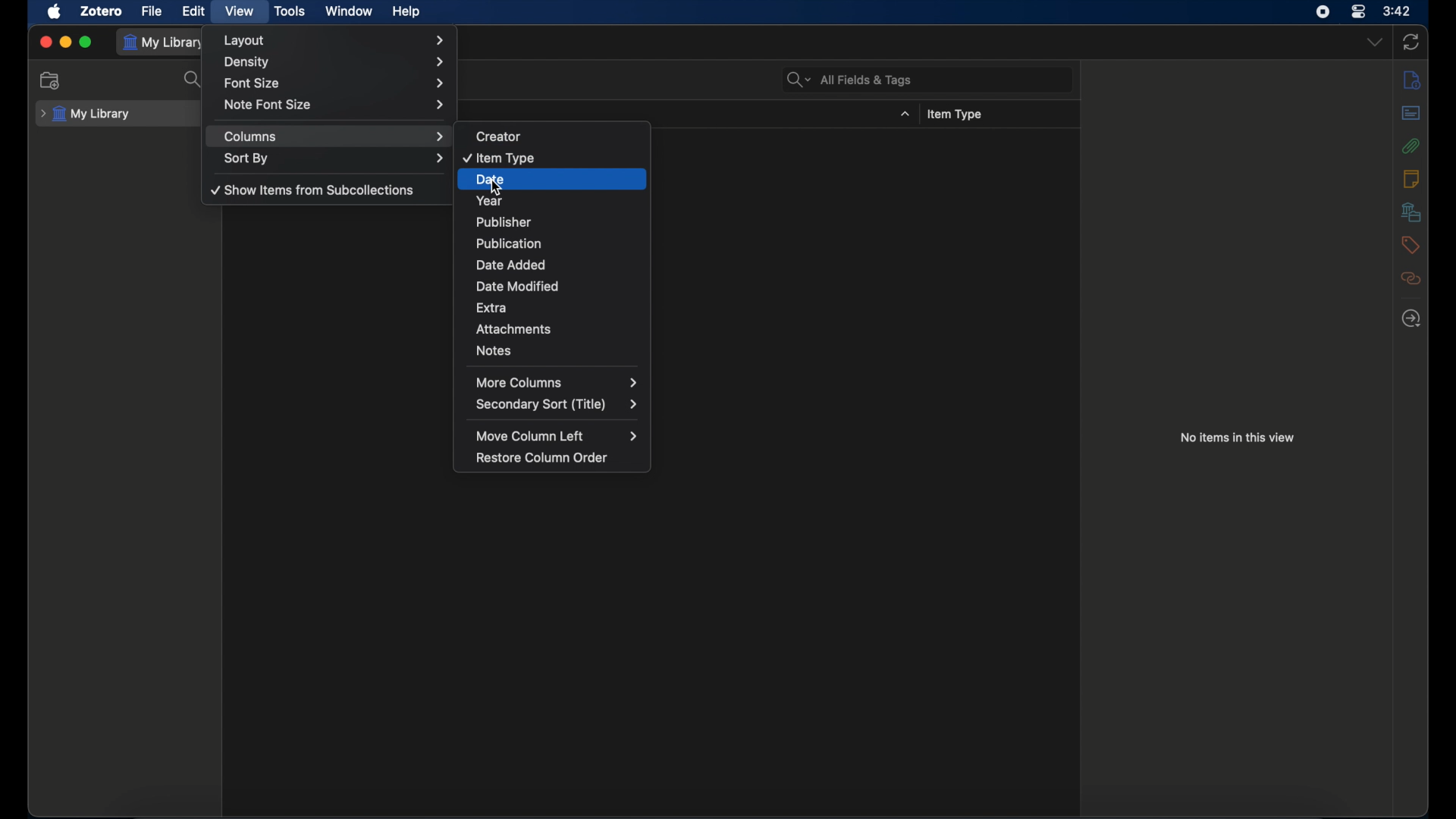 The image size is (1456, 819). I want to click on show items from sub collections, so click(314, 190).